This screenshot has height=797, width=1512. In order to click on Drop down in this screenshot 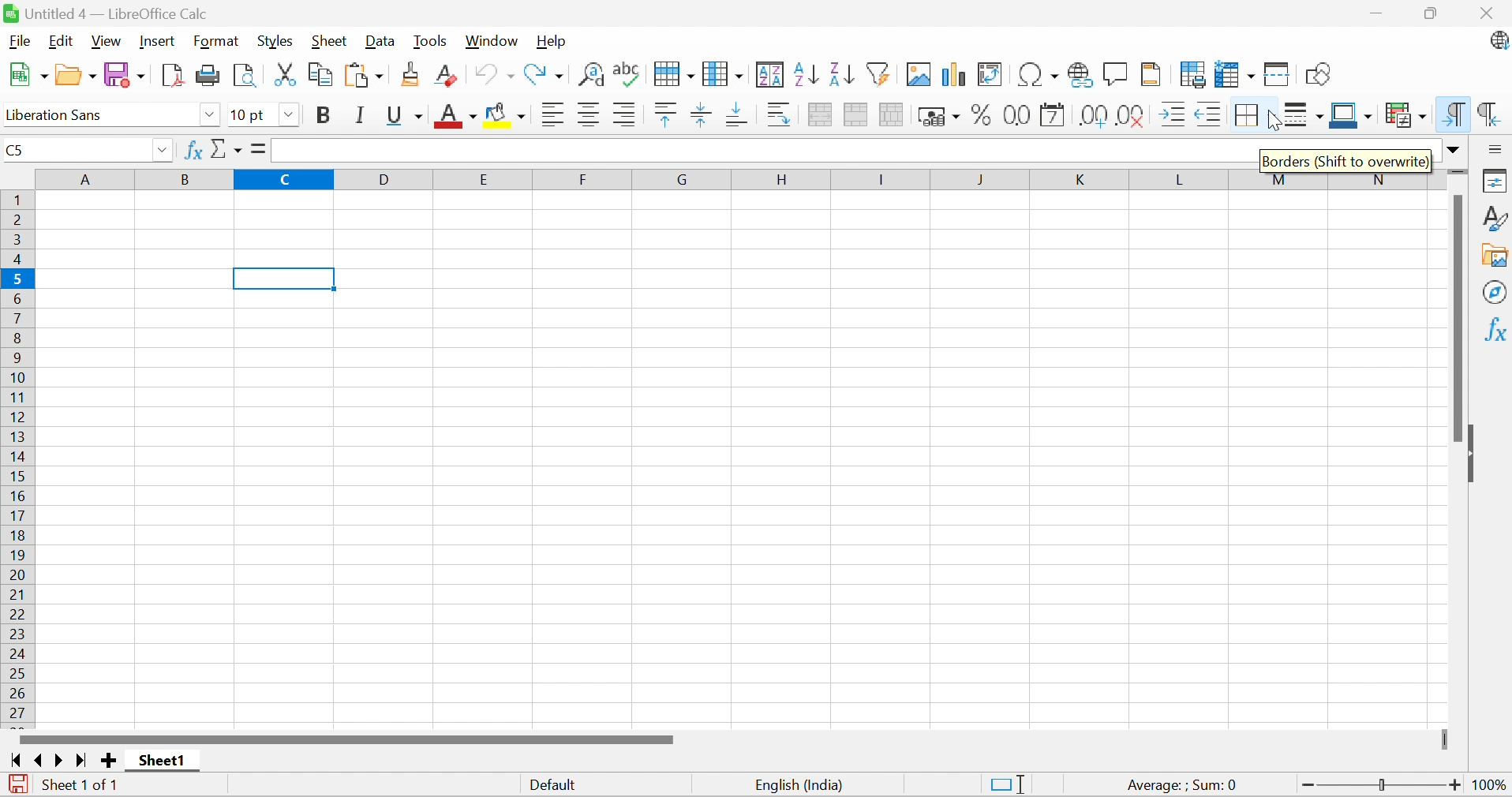, I will do `click(210, 115)`.